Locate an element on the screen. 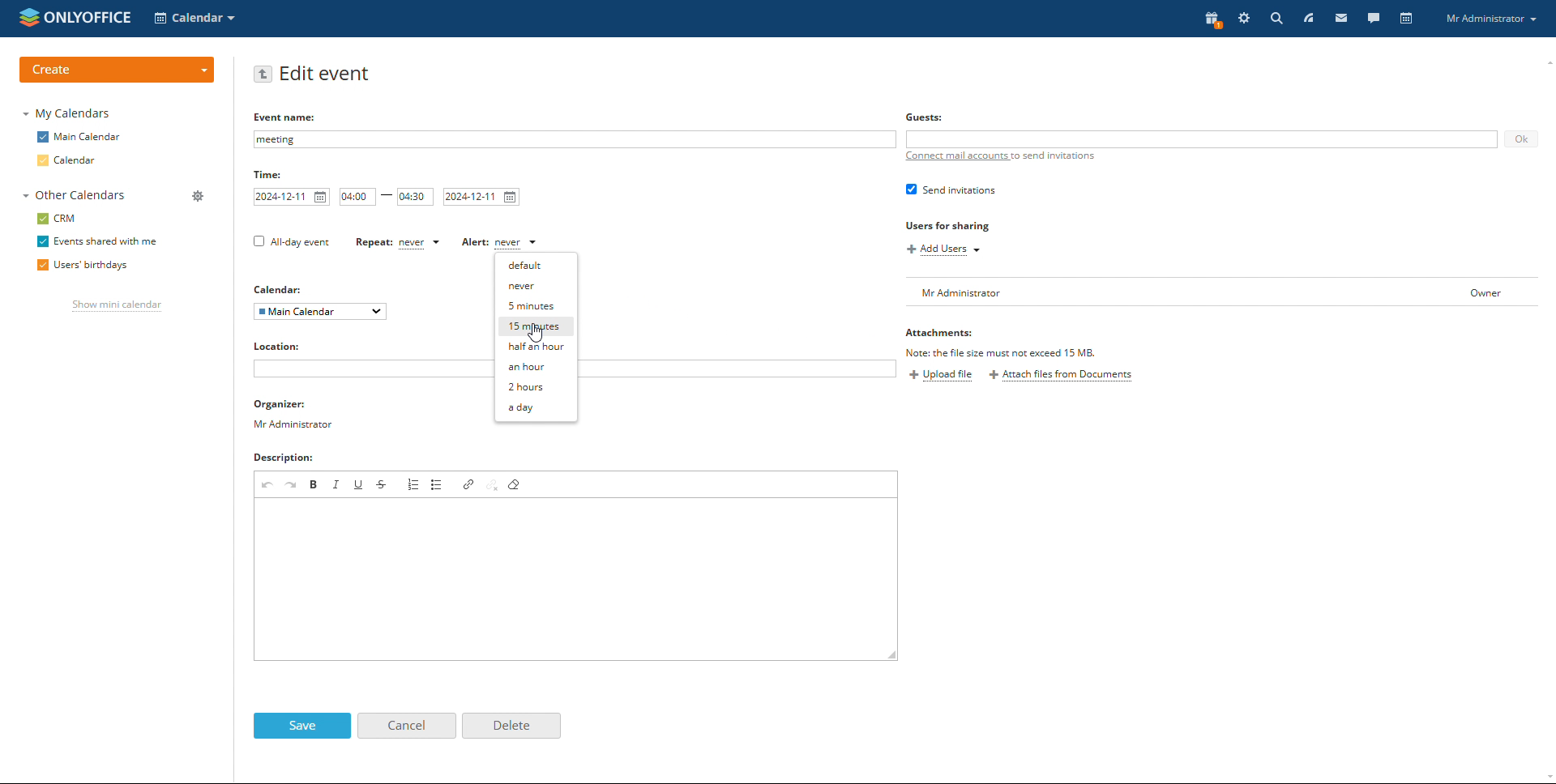  search is located at coordinates (1276, 19).